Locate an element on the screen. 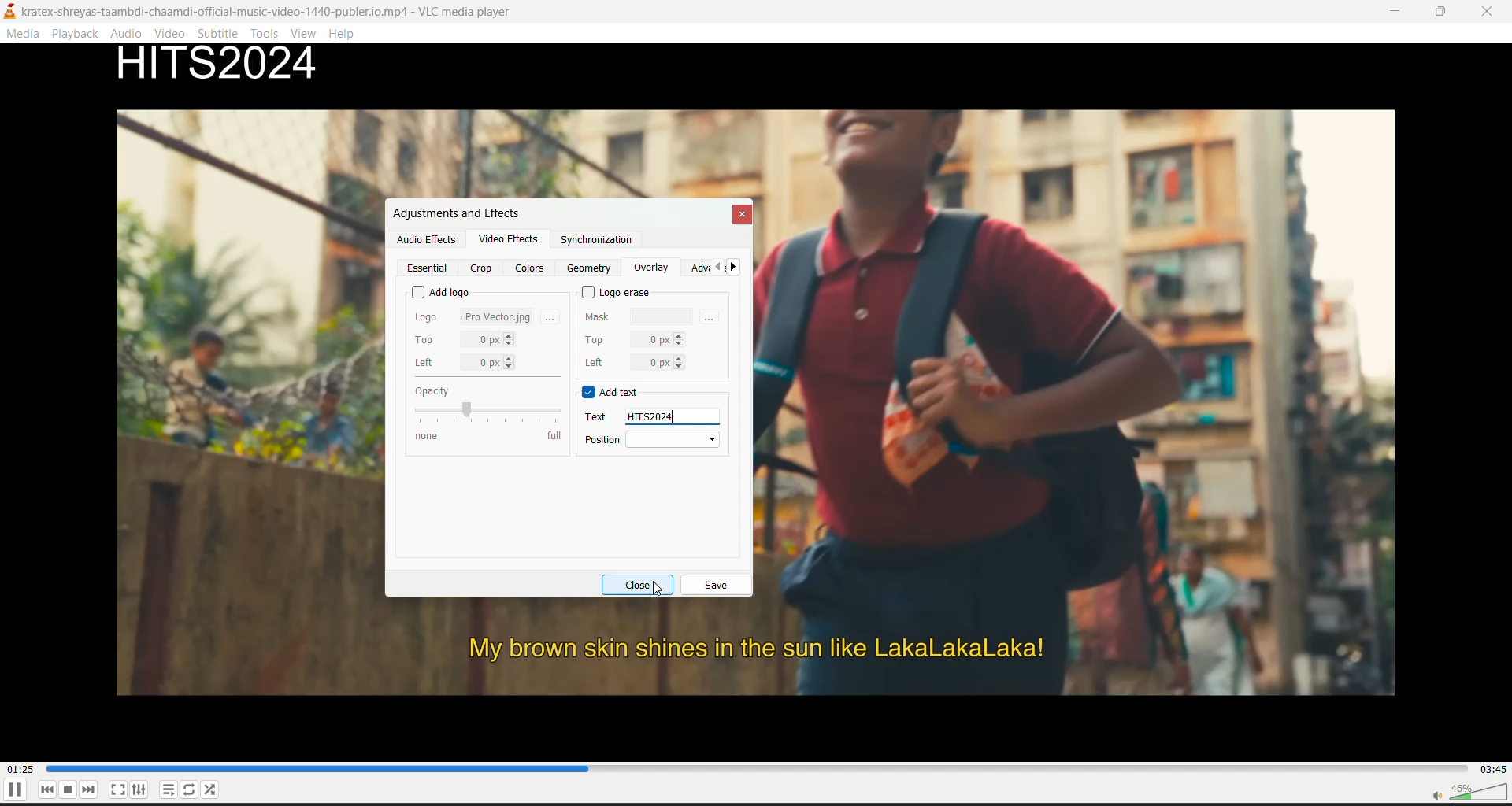 This screenshot has width=1512, height=806. adjustments and effects is located at coordinates (454, 212).